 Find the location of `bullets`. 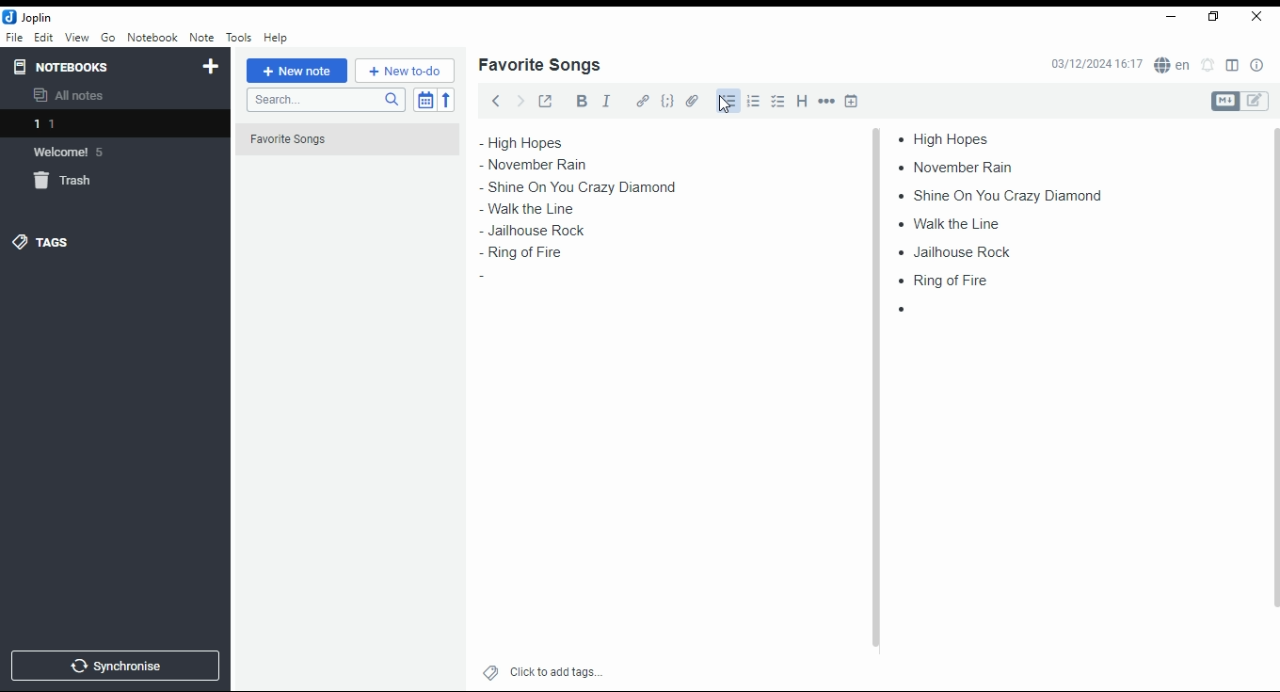

bullets is located at coordinates (726, 101).